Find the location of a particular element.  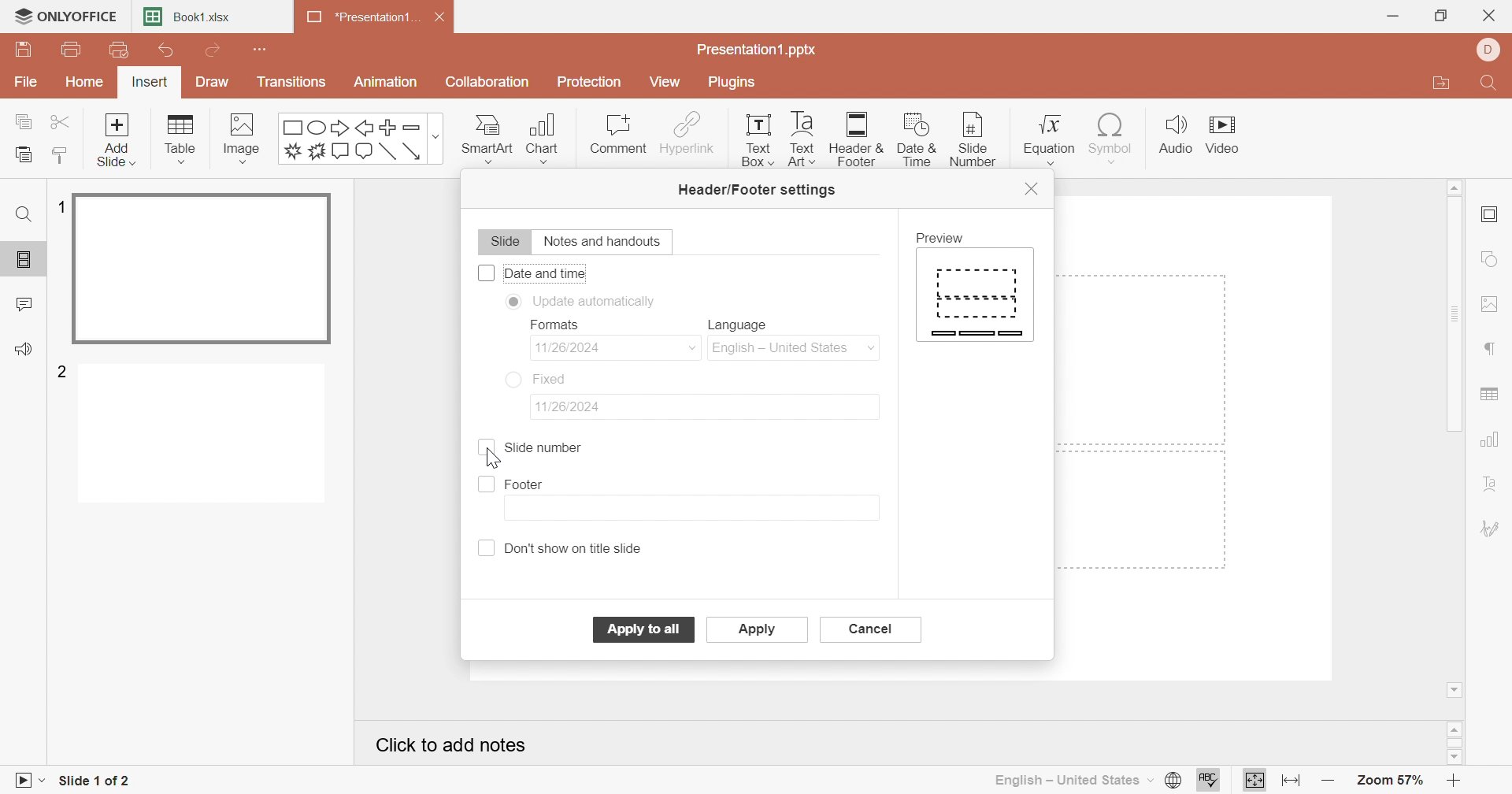

Feedback & Support is located at coordinates (27, 351).